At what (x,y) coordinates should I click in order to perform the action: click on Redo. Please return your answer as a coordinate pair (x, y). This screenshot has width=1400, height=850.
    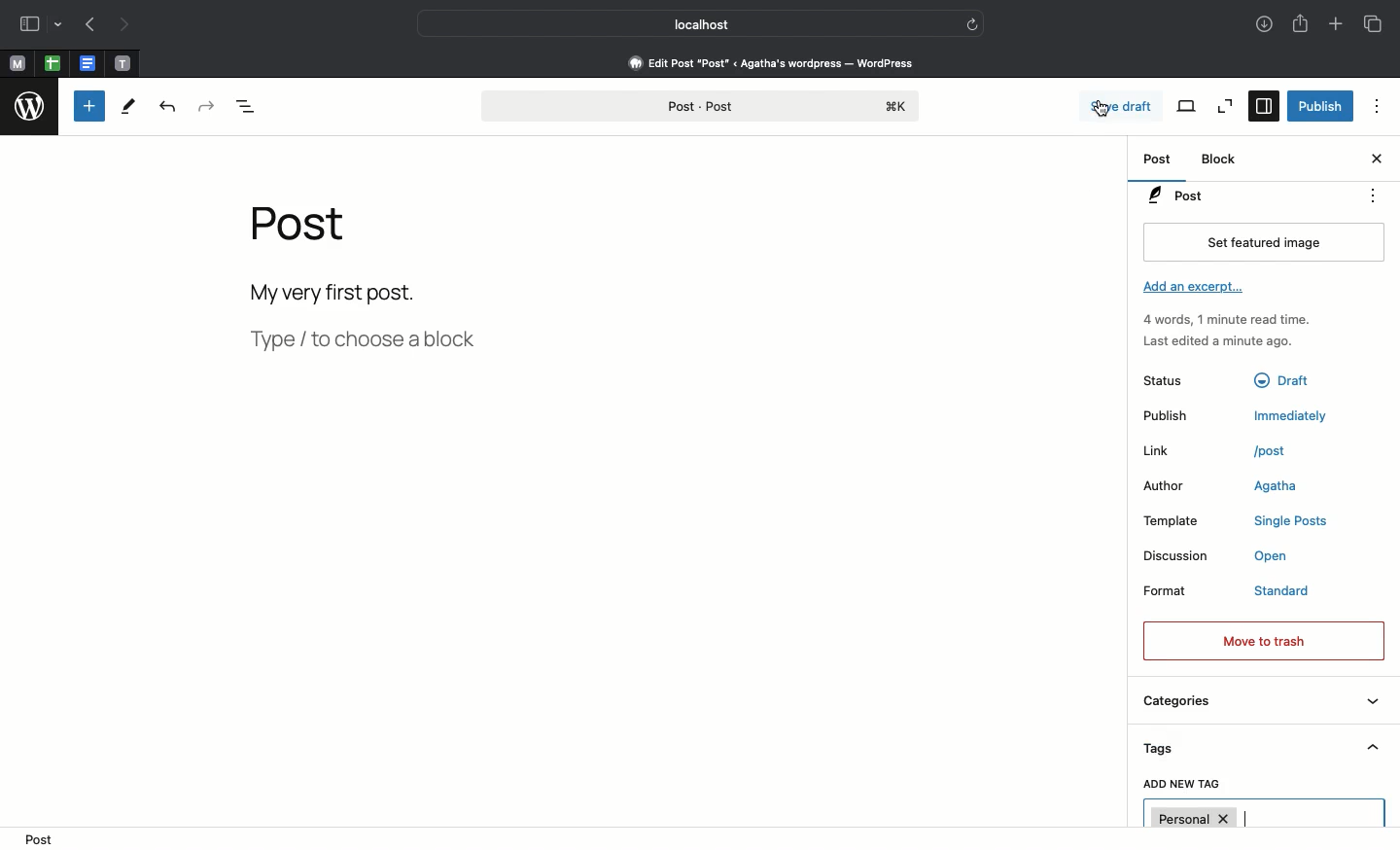
    Looking at the image, I should click on (204, 104).